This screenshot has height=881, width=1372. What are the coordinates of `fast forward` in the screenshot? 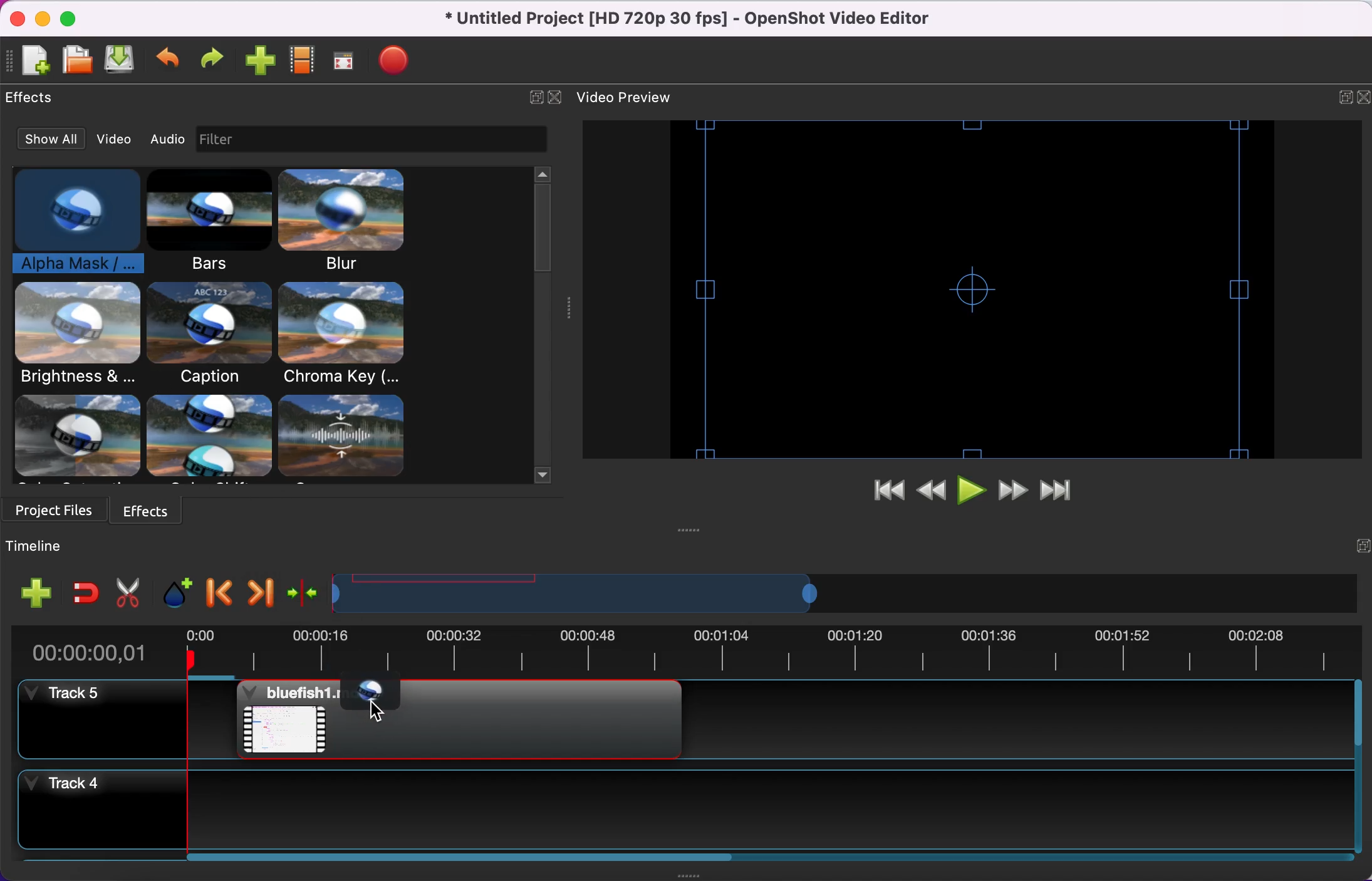 It's located at (1014, 489).